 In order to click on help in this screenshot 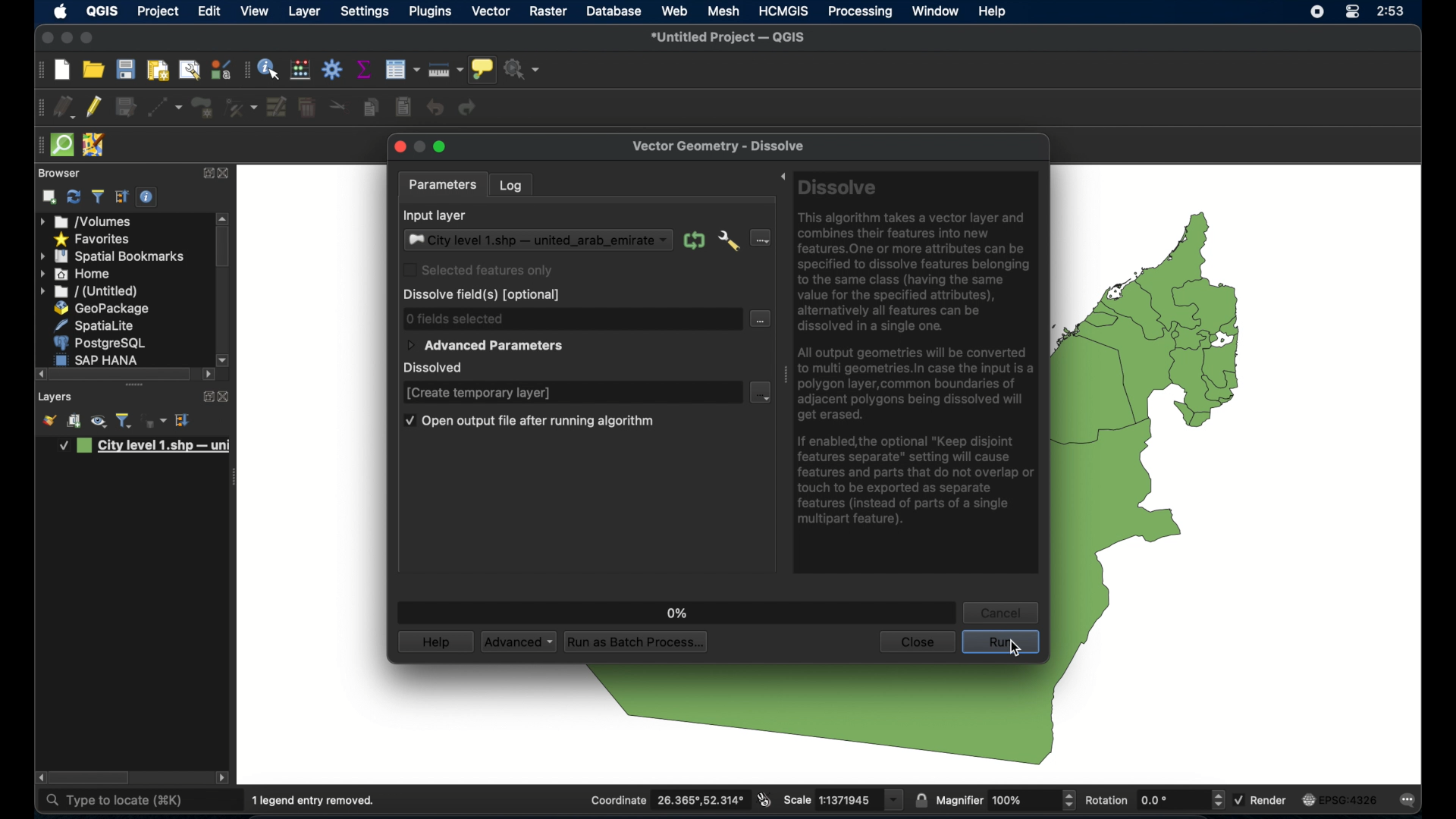, I will do `click(435, 642)`.